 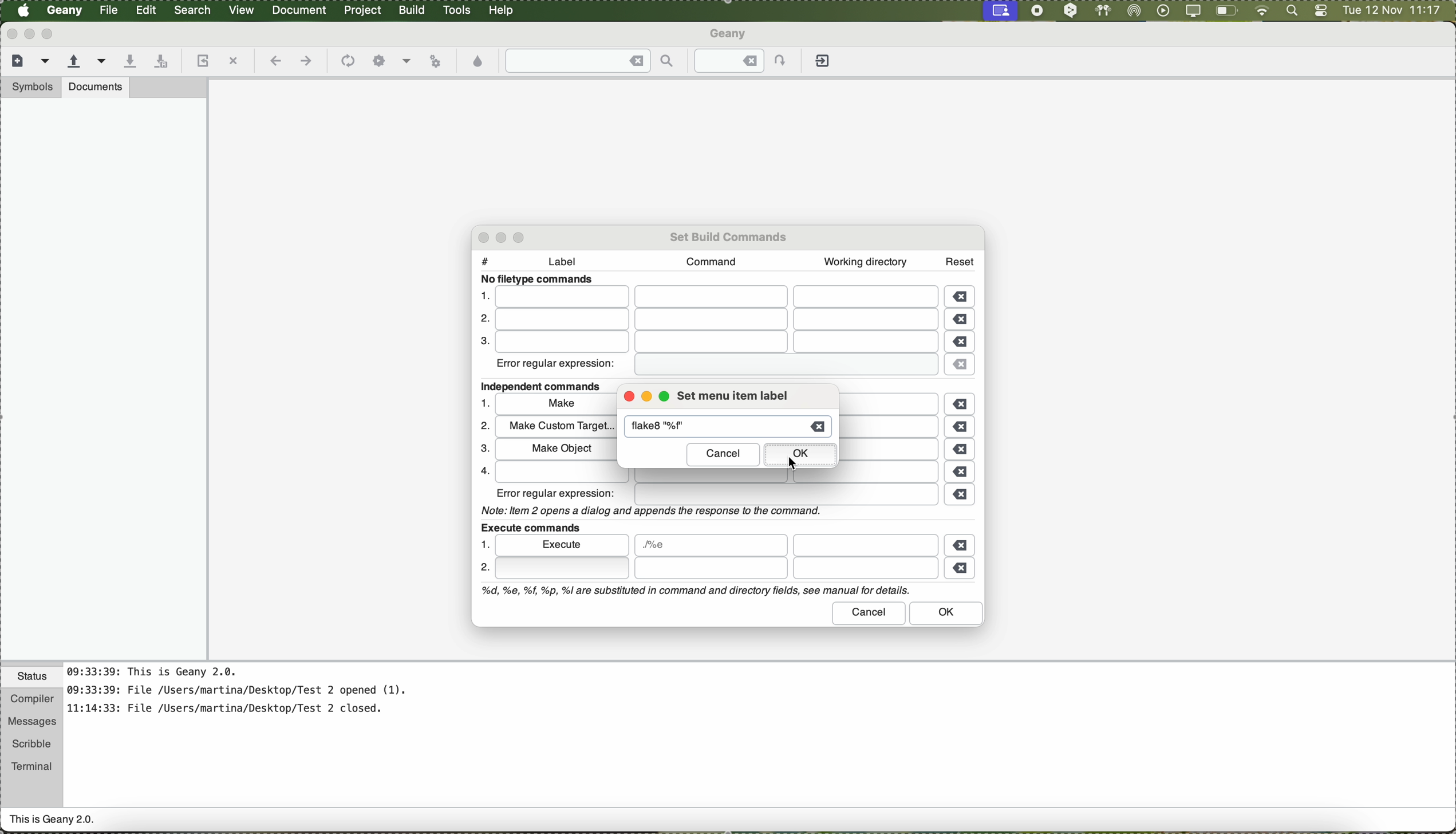 What do you see at coordinates (32, 678) in the screenshot?
I see `status` at bounding box center [32, 678].